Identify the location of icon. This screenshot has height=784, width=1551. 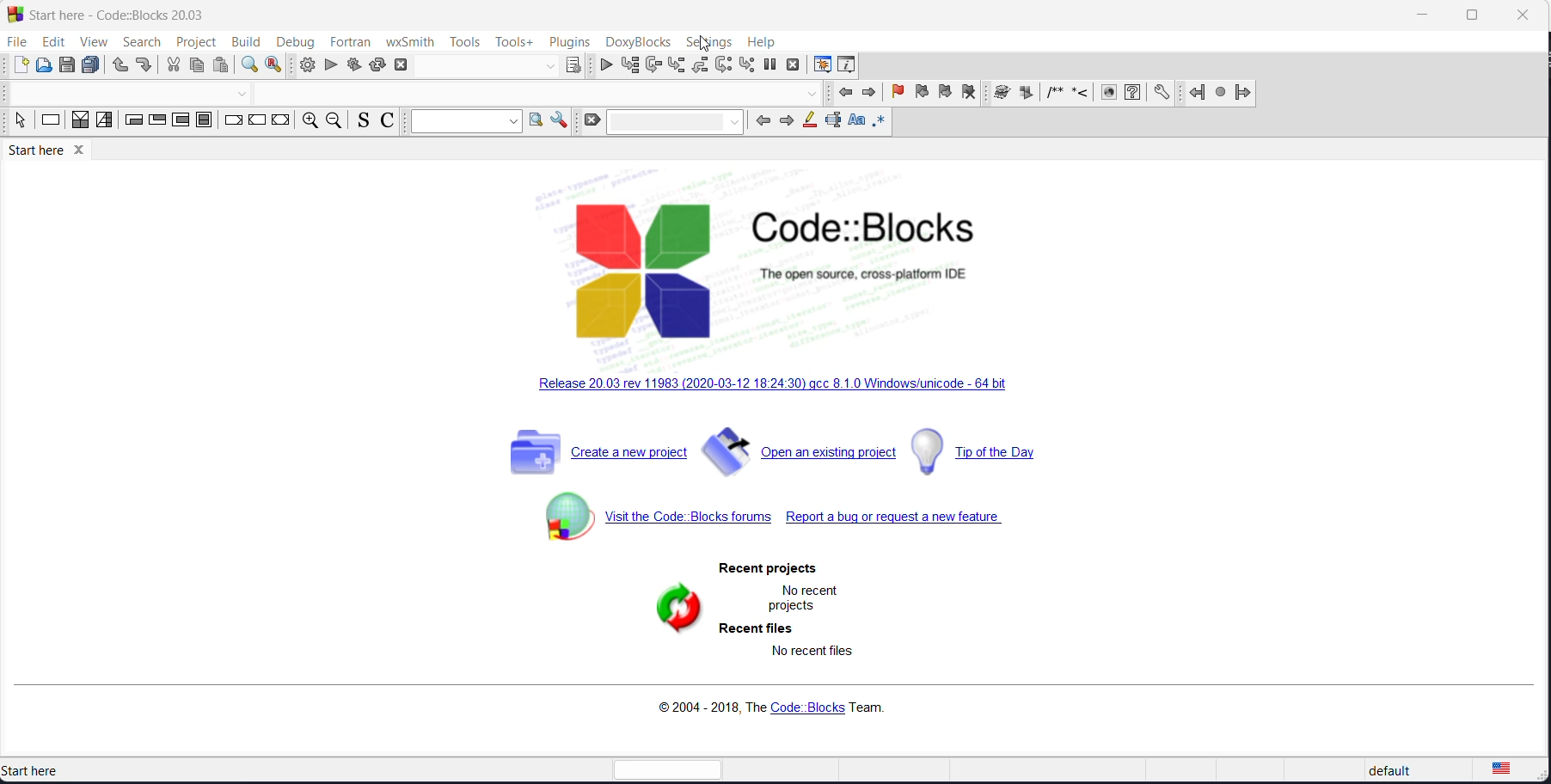
(1027, 94).